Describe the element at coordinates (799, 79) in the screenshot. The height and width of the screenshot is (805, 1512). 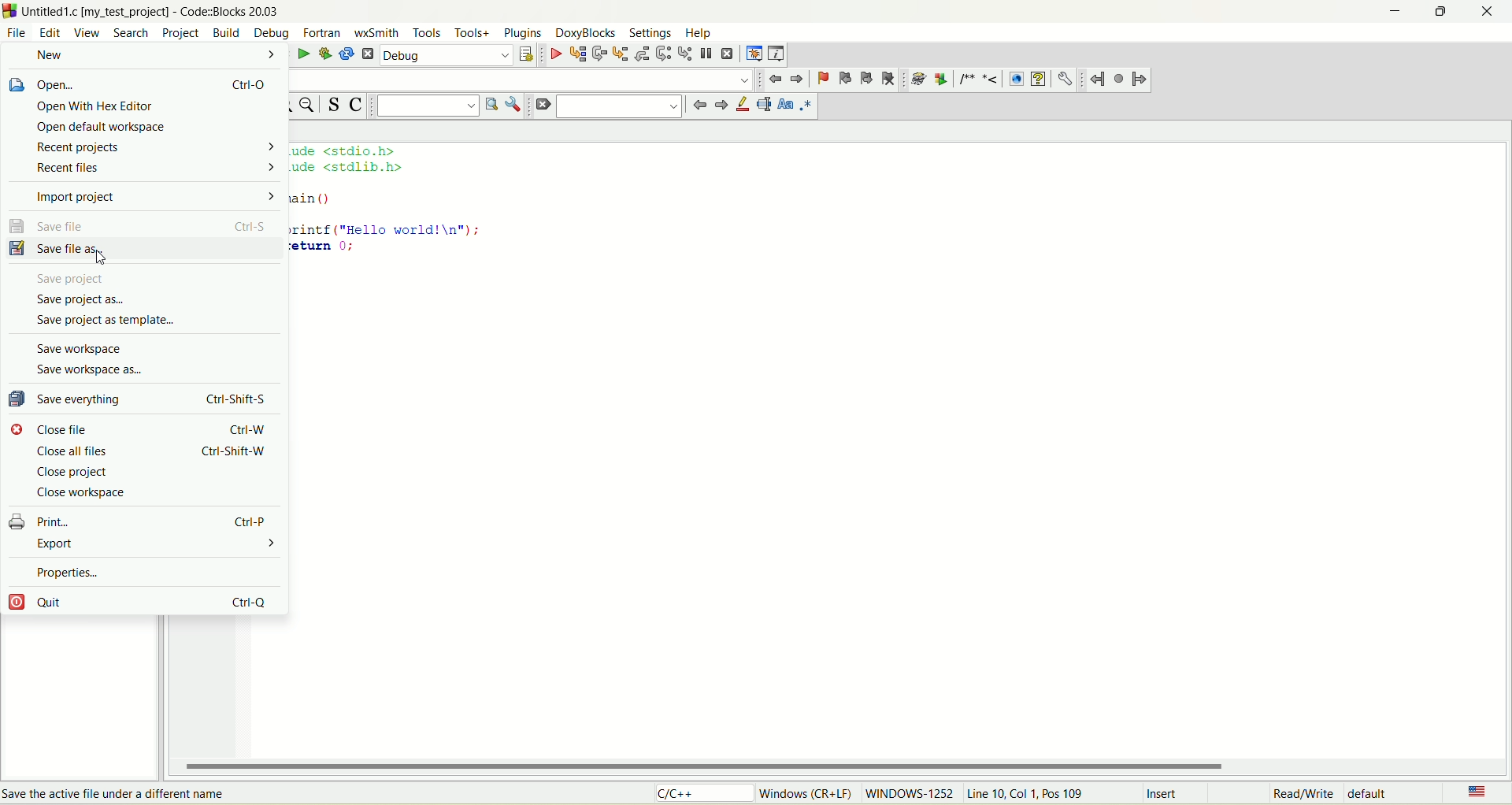
I see `jump forward` at that location.